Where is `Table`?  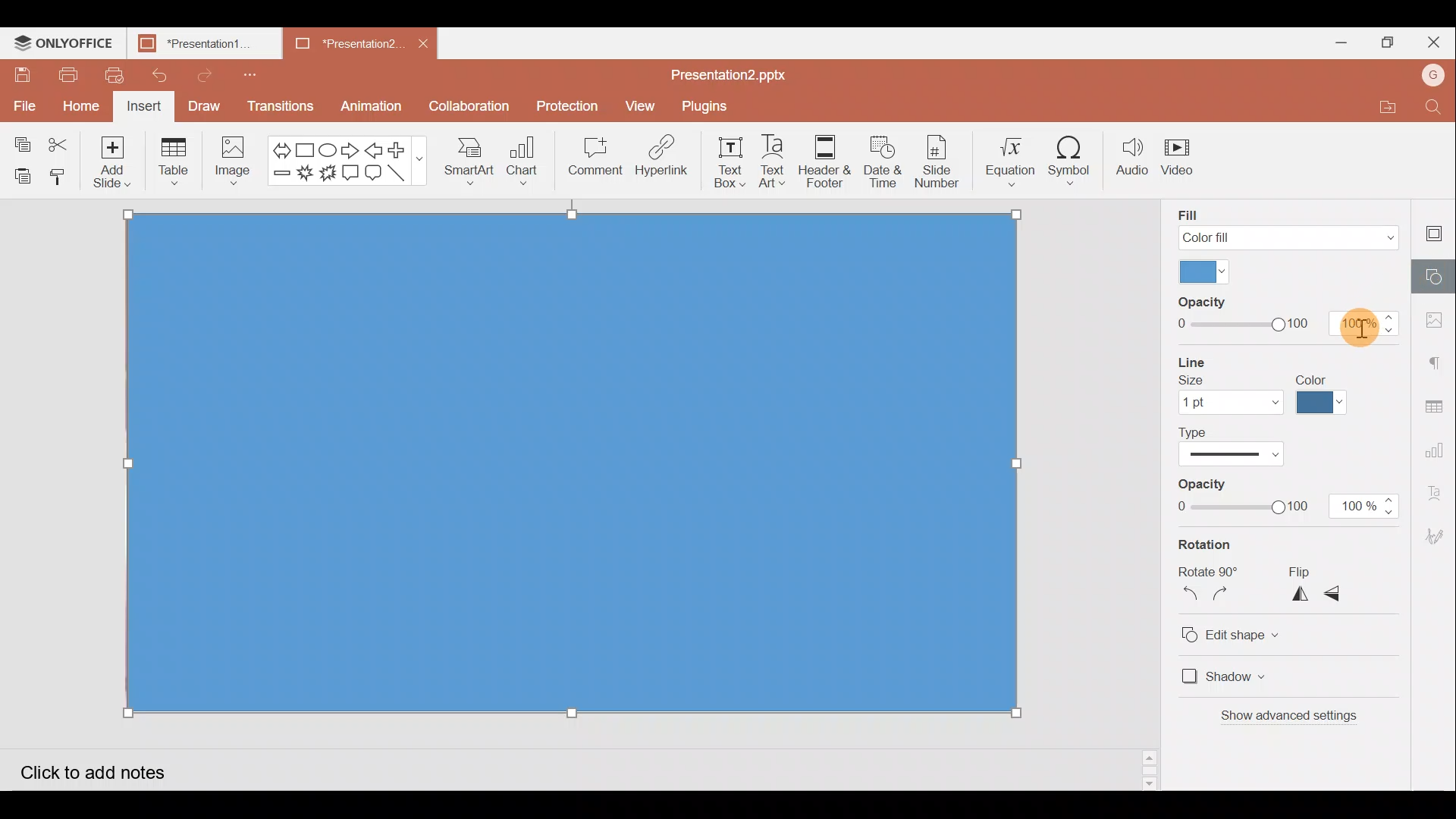 Table is located at coordinates (177, 160).